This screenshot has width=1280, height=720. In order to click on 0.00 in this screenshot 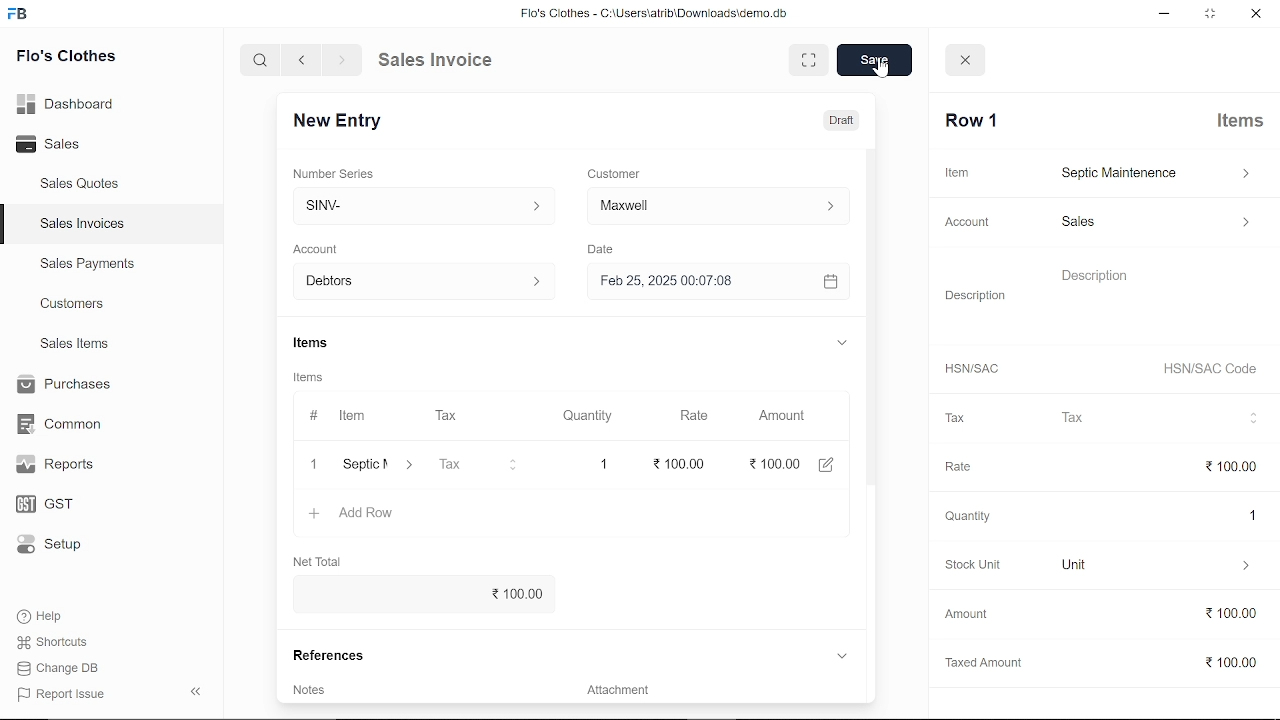, I will do `click(774, 464)`.